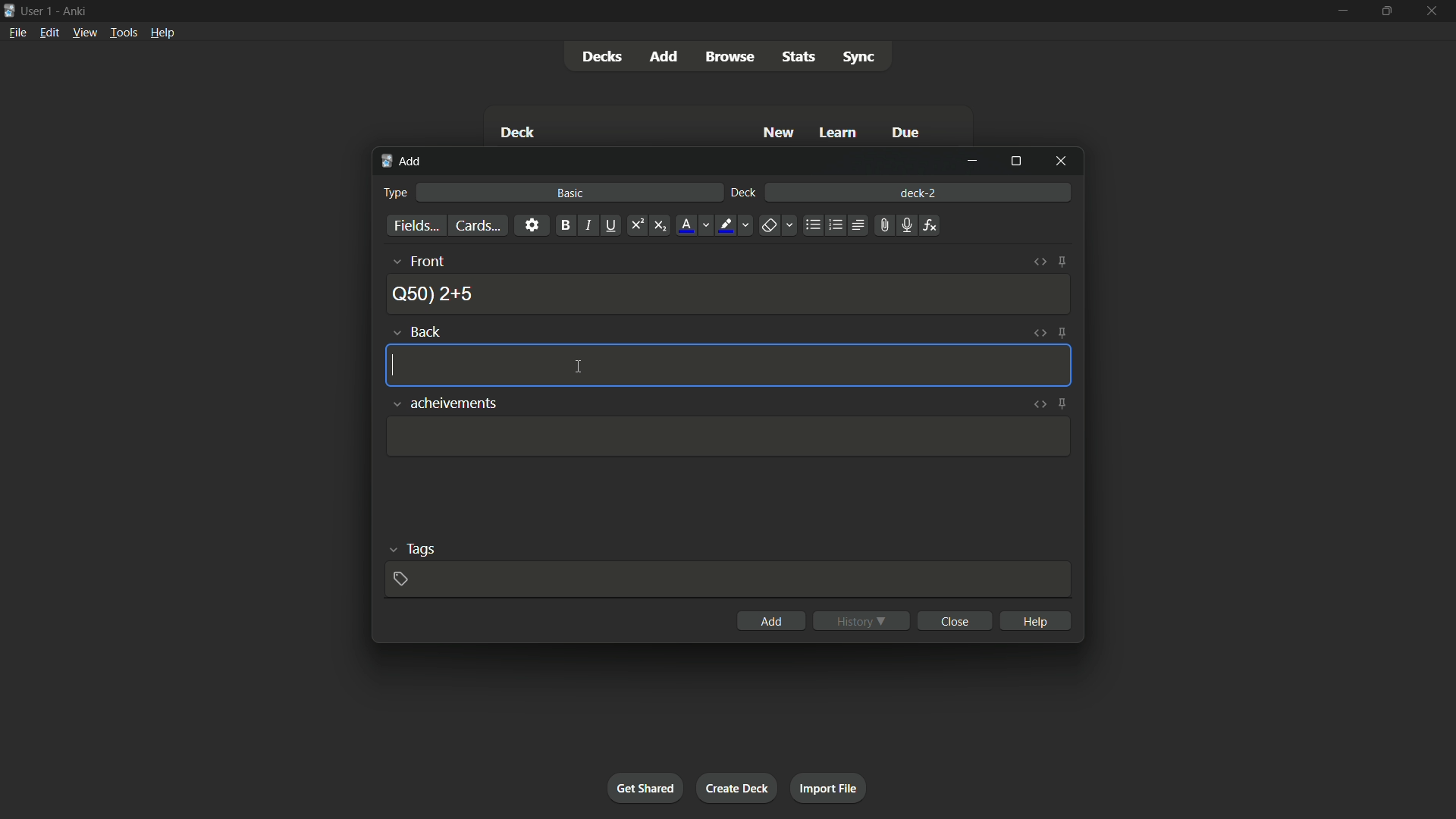 The image size is (1456, 819). What do you see at coordinates (417, 261) in the screenshot?
I see `front` at bounding box center [417, 261].